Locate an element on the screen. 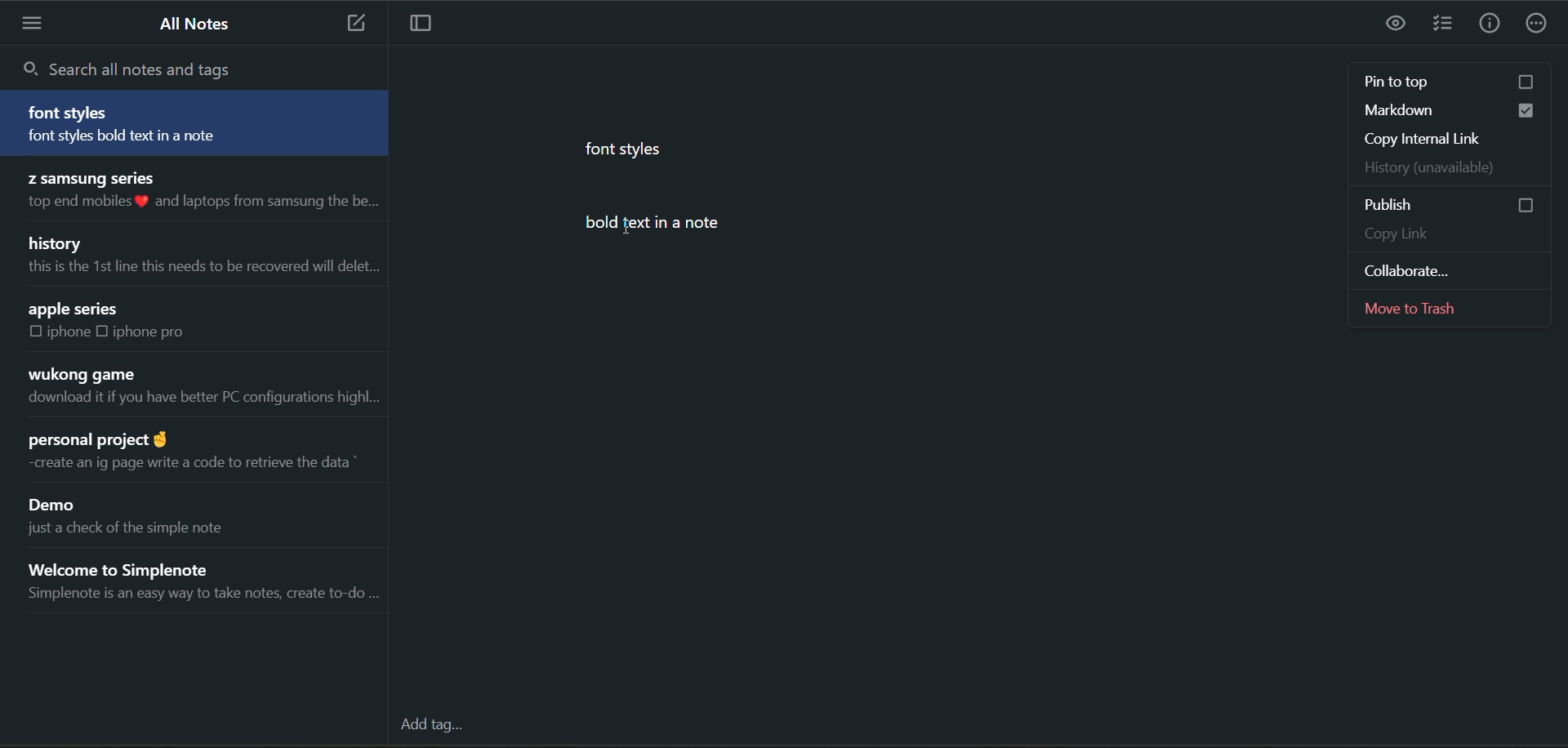 The width and height of the screenshot is (1568, 748). markdown is located at coordinates (1410, 110).